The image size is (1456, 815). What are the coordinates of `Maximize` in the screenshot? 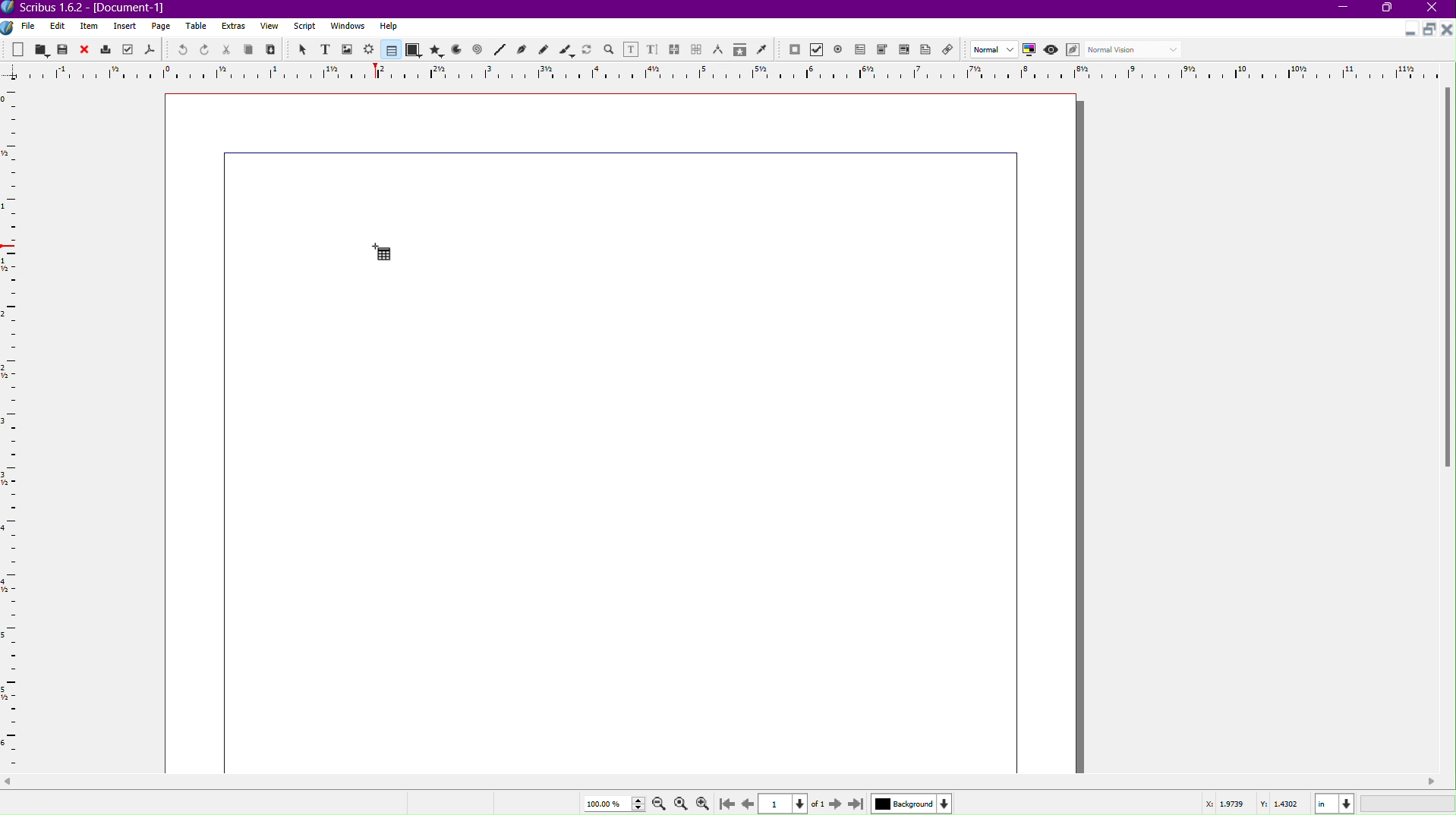 It's located at (1428, 30).